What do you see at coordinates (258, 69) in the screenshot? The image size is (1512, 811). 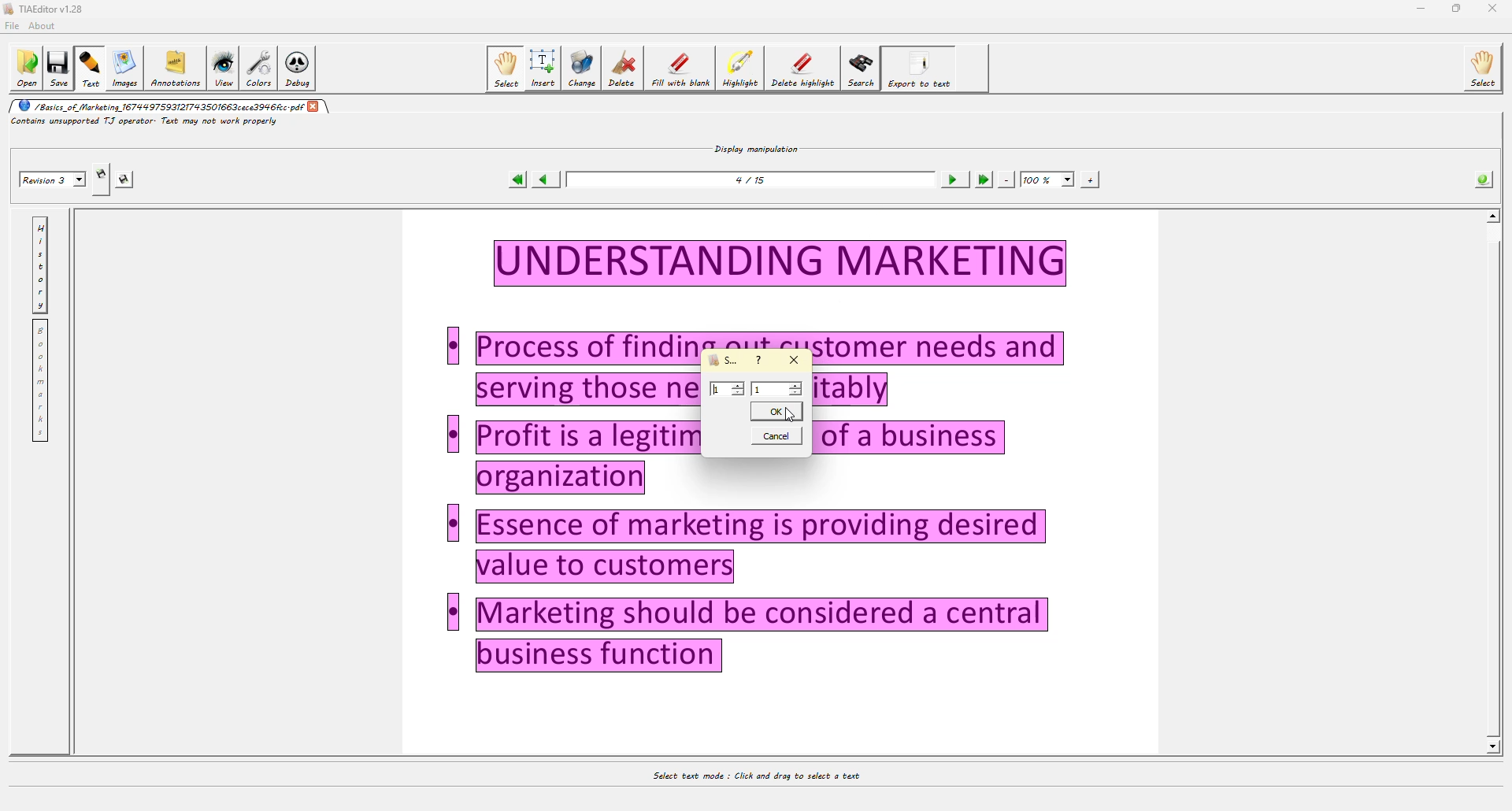 I see `colors` at bounding box center [258, 69].